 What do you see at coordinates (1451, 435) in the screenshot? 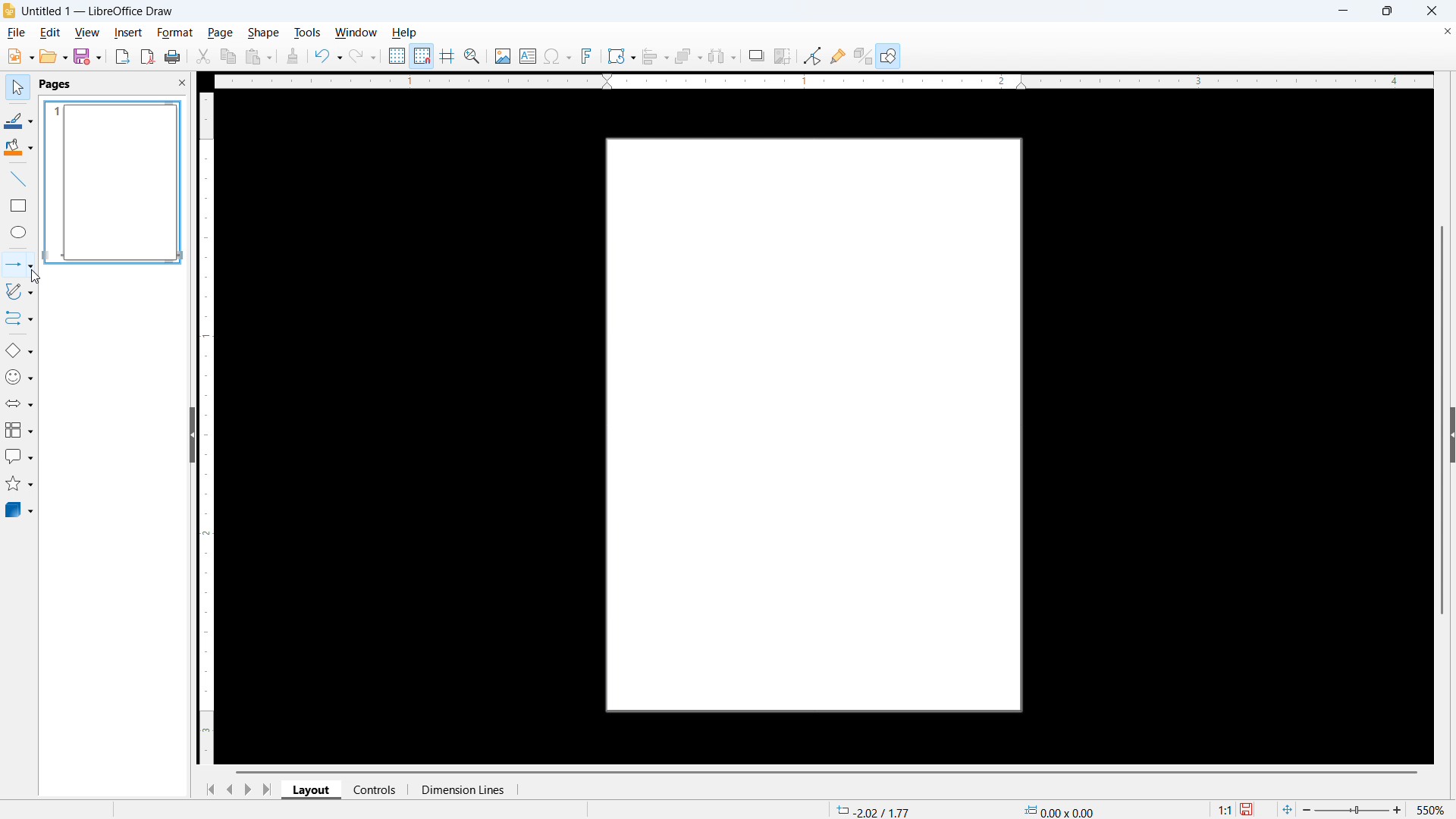
I see `Expand panel ` at bounding box center [1451, 435].